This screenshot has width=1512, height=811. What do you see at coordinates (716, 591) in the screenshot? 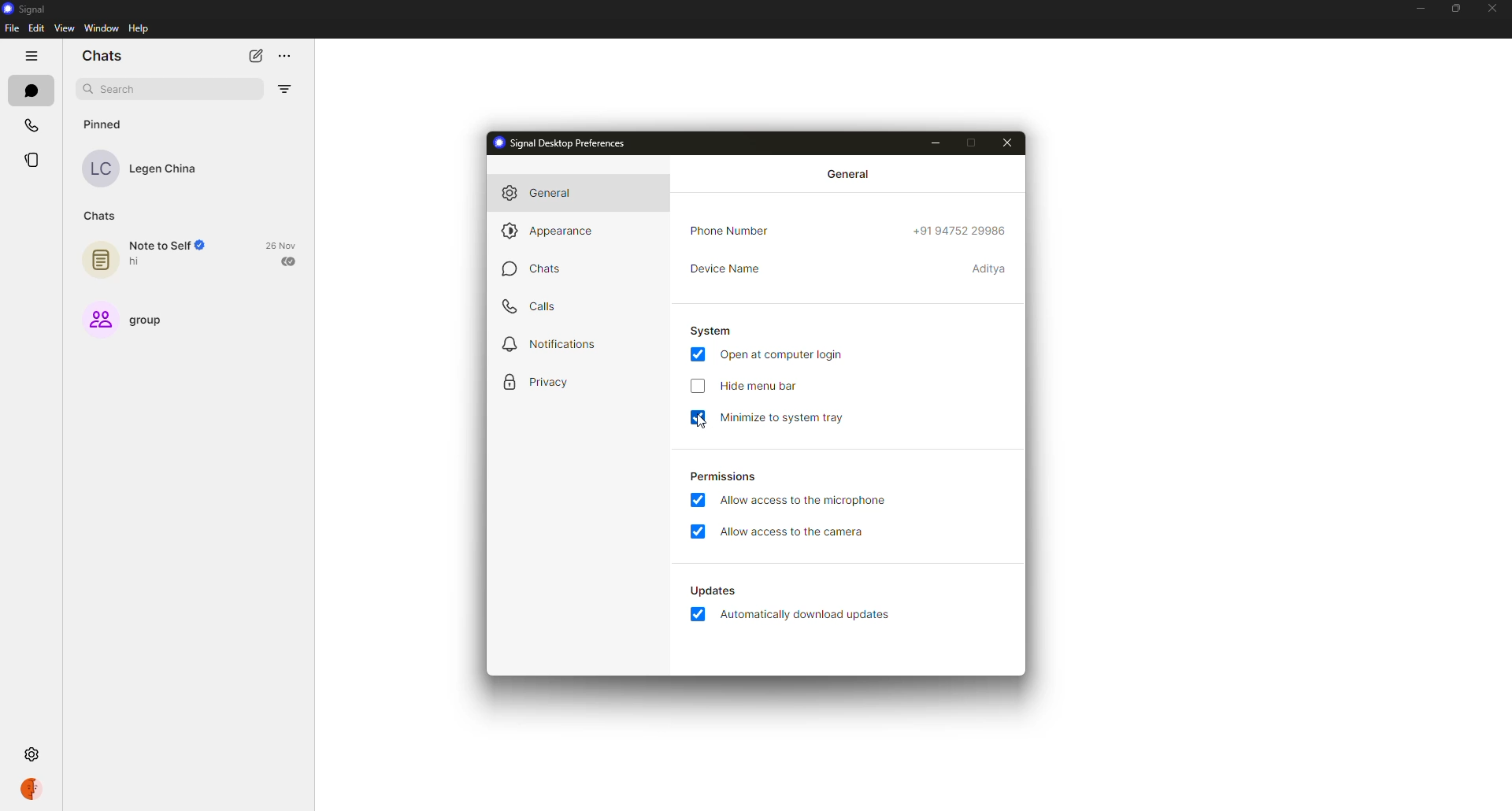
I see `automatically download updates` at bounding box center [716, 591].